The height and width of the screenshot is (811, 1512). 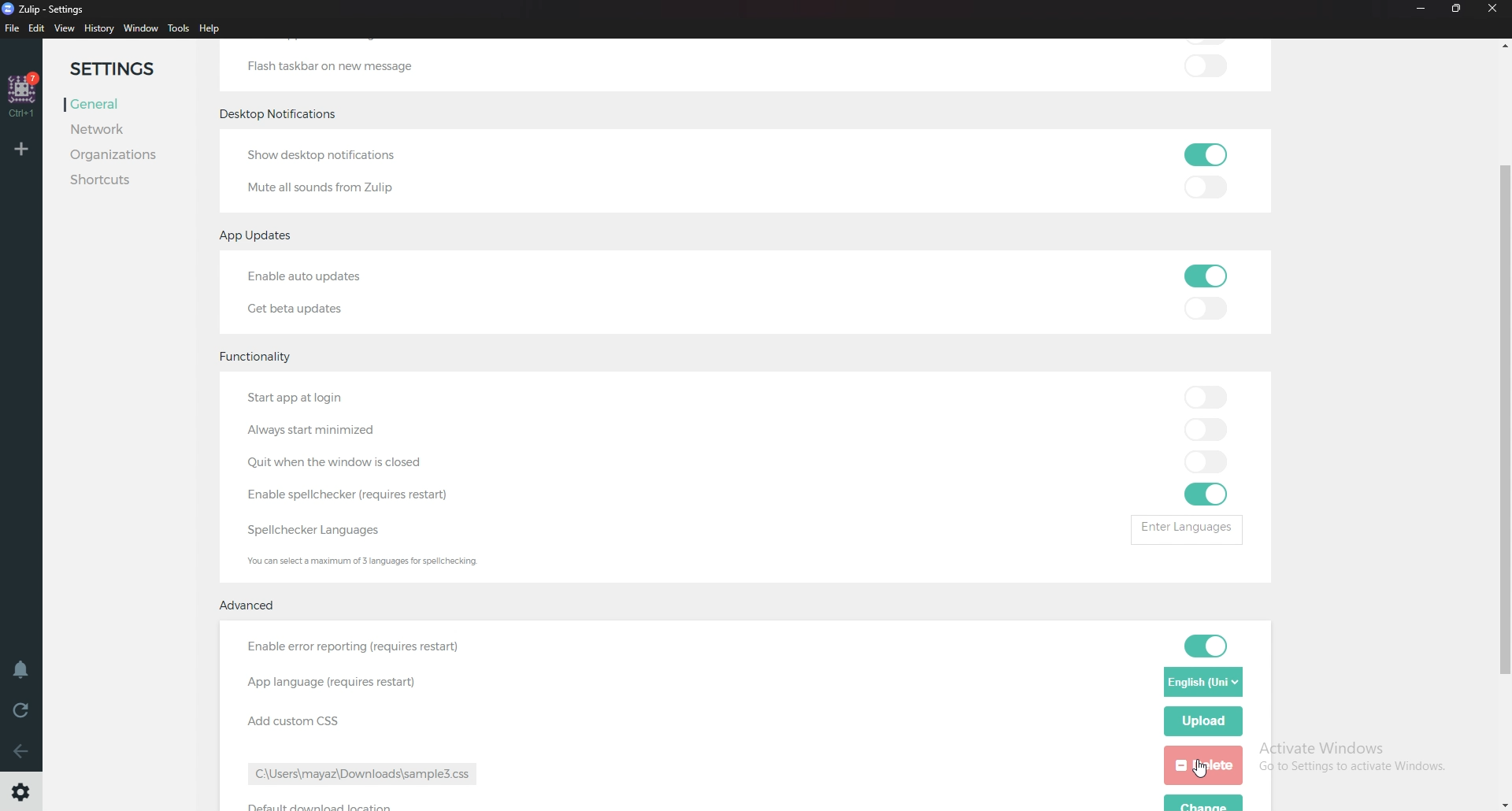 I want to click on resize, so click(x=1457, y=9).